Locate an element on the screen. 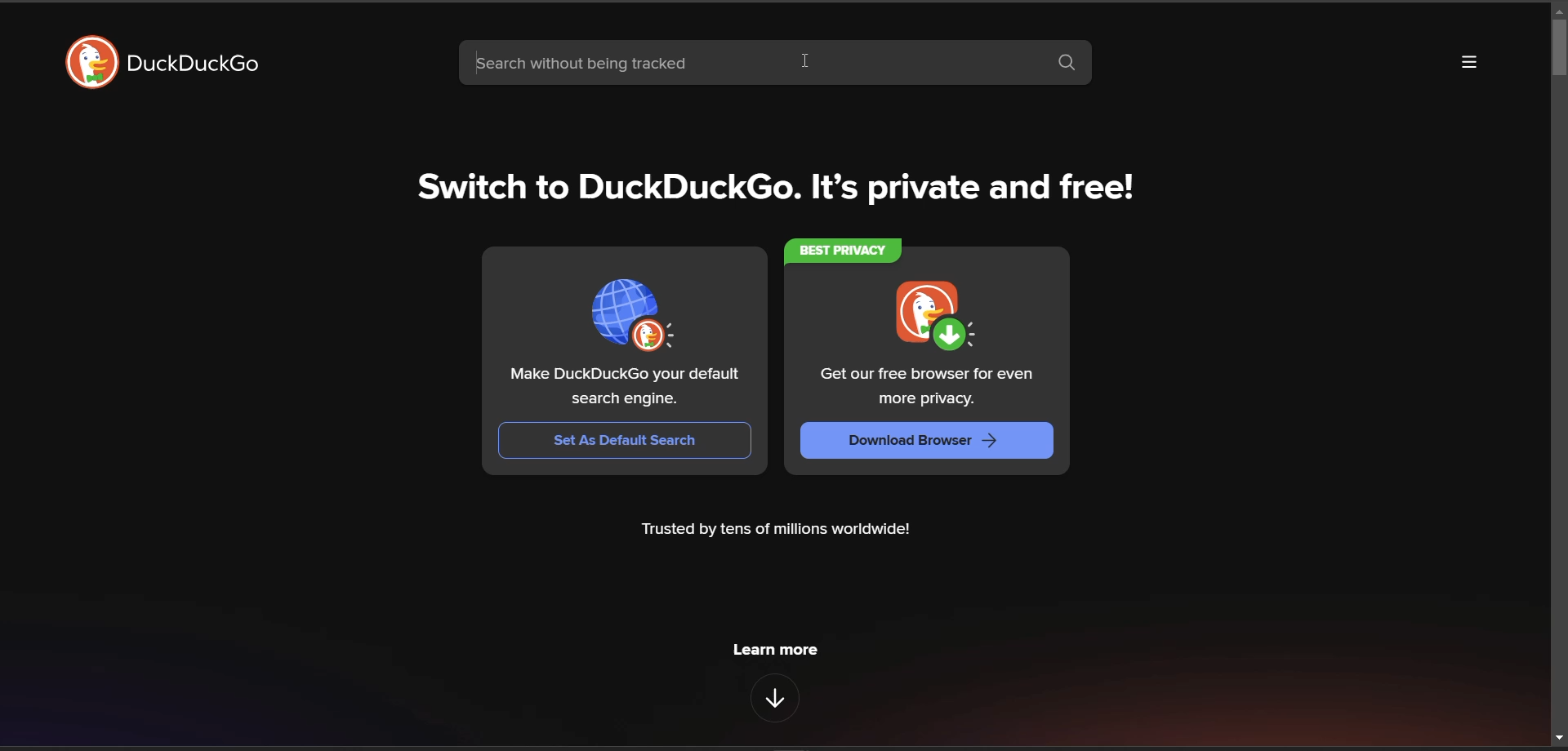  best privacy is located at coordinates (840, 252).